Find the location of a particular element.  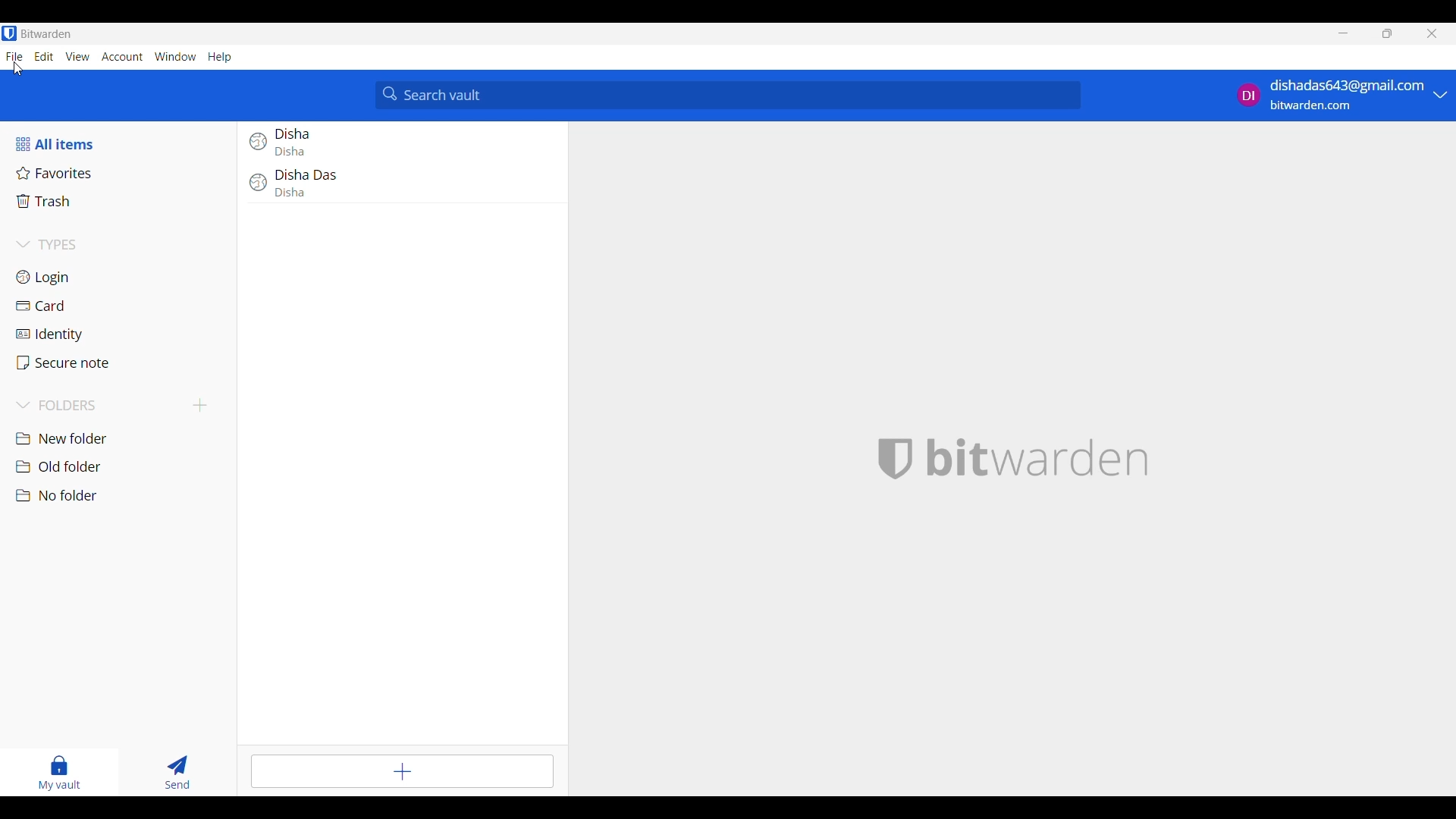

Minimize is located at coordinates (1344, 33).